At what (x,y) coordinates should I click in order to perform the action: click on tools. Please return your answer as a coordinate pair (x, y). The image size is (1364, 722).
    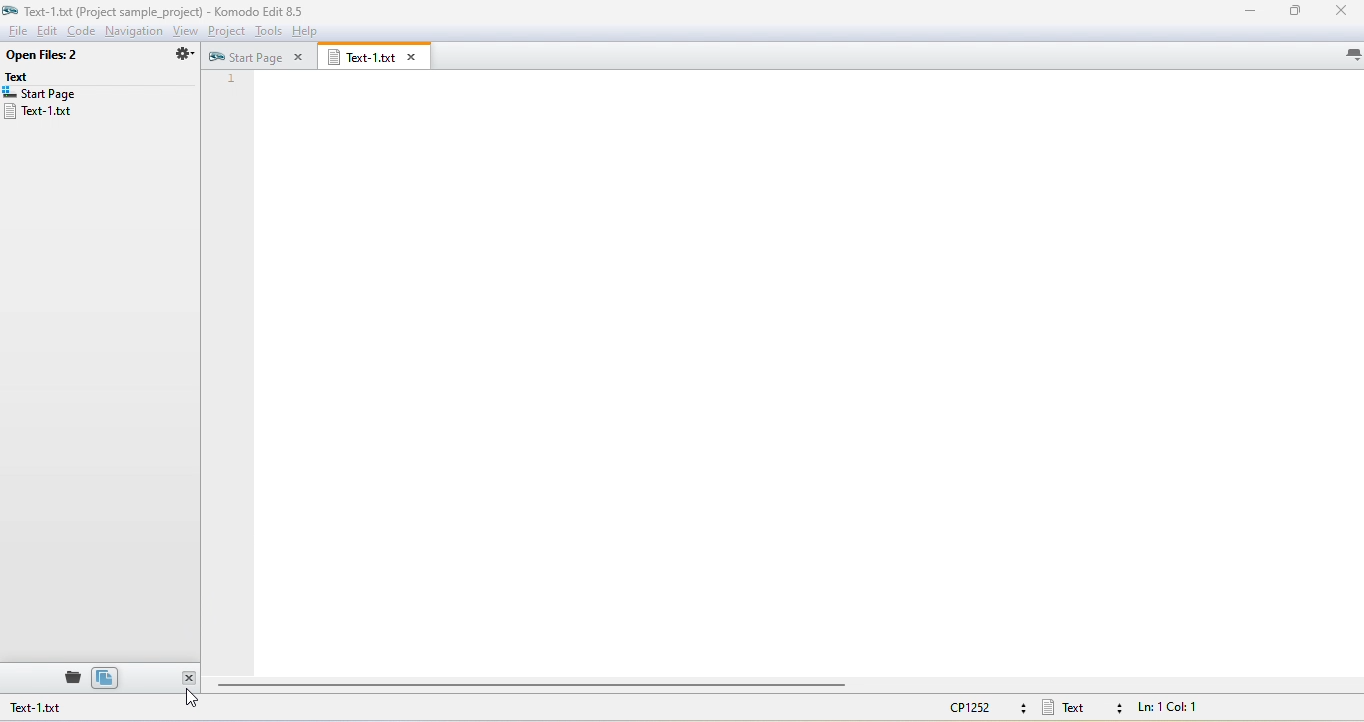
    Looking at the image, I should click on (269, 31).